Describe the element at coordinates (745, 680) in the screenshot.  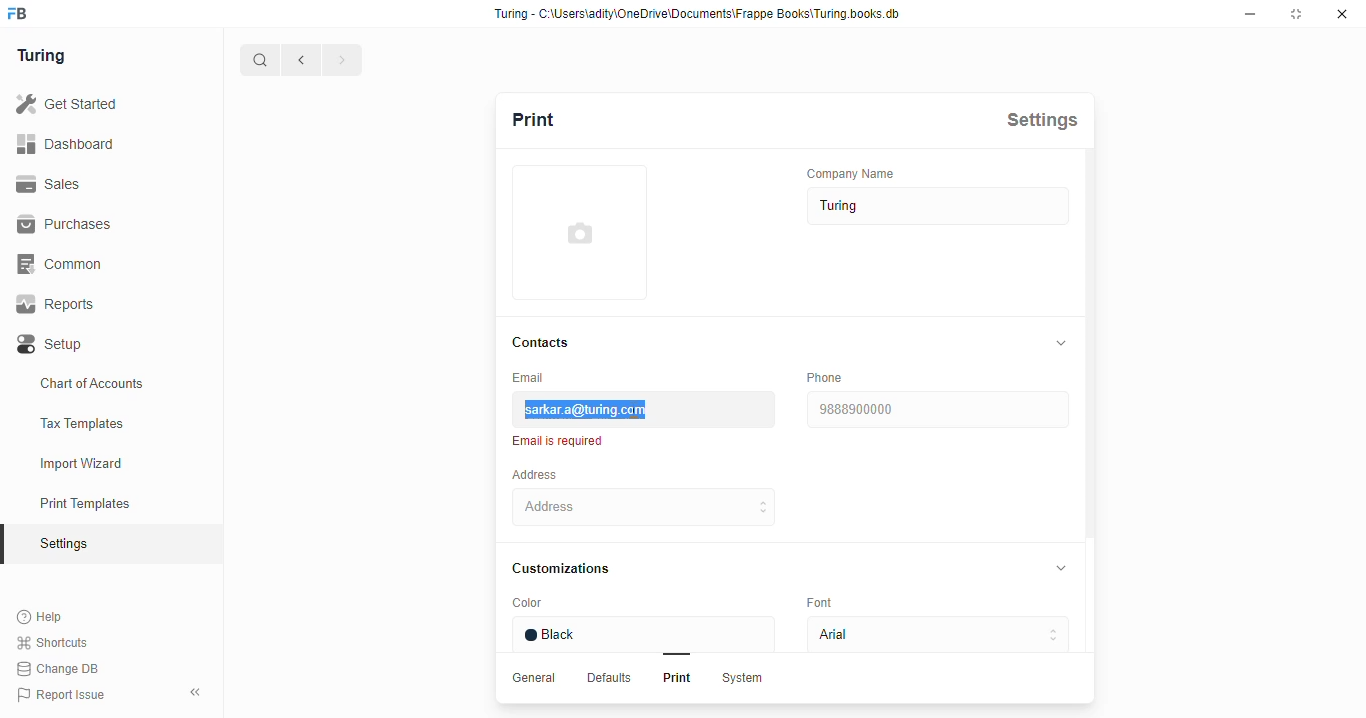
I see `System` at that location.